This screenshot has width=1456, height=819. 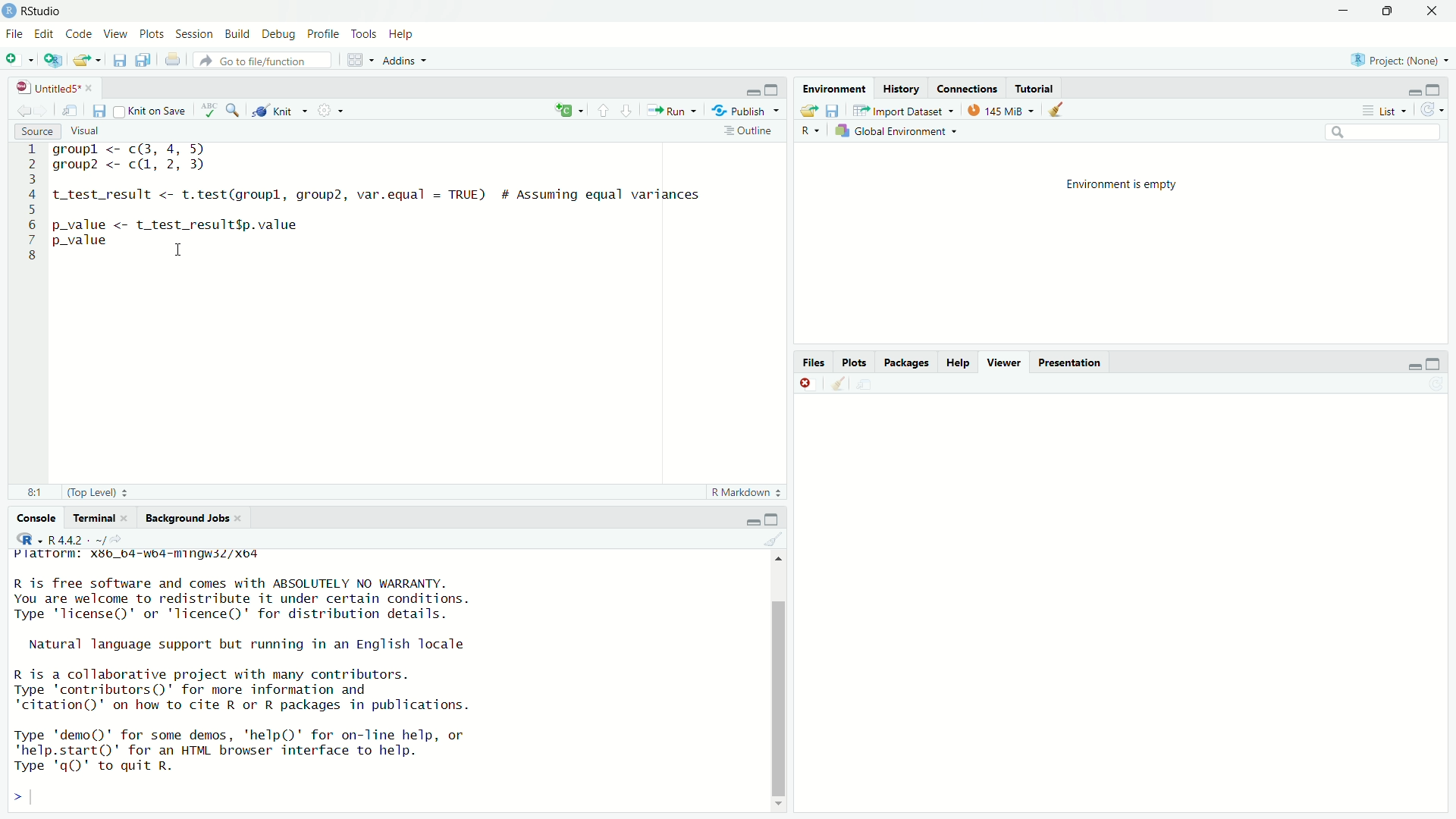 What do you see at coordinates (11, 11) in the screenshot?
I see `RStudio Logo` at bounding box center [11, 11].